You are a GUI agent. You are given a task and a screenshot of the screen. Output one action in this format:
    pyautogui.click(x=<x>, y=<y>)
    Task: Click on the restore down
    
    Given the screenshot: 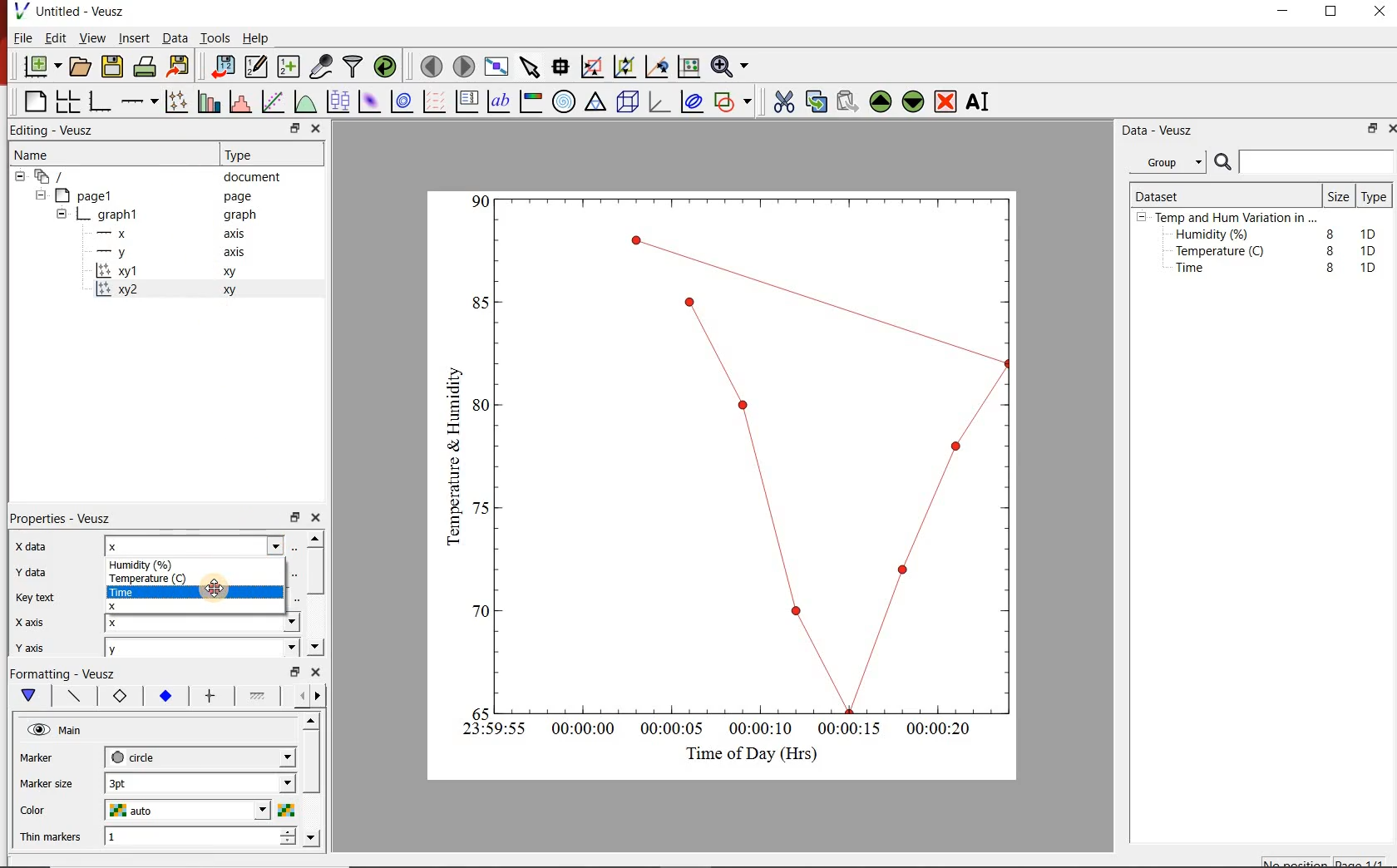 What is the action you would take?
    pyautogui.click(x=1369, y=131)
    